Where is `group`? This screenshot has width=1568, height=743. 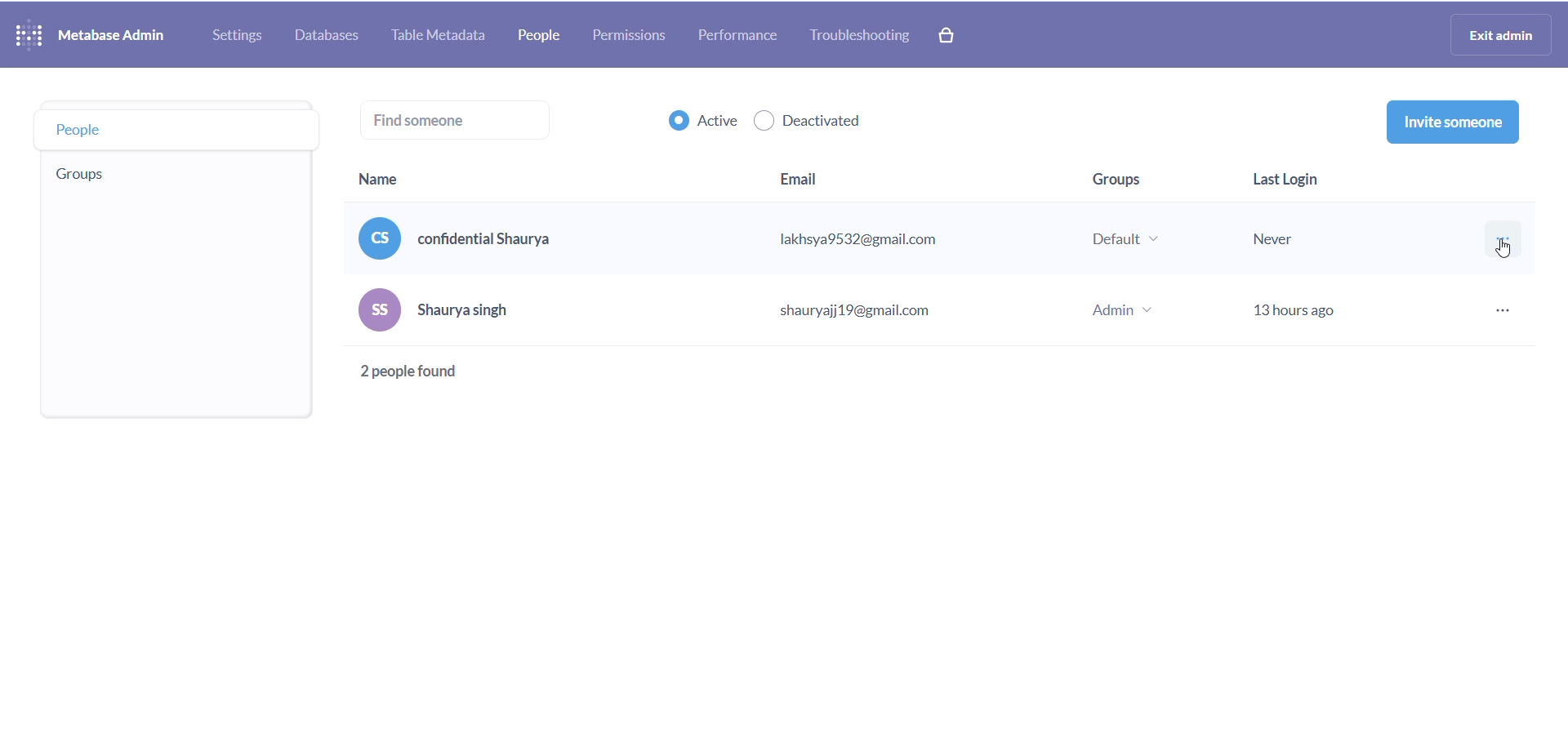 group is located at coordinates (1138, 309).